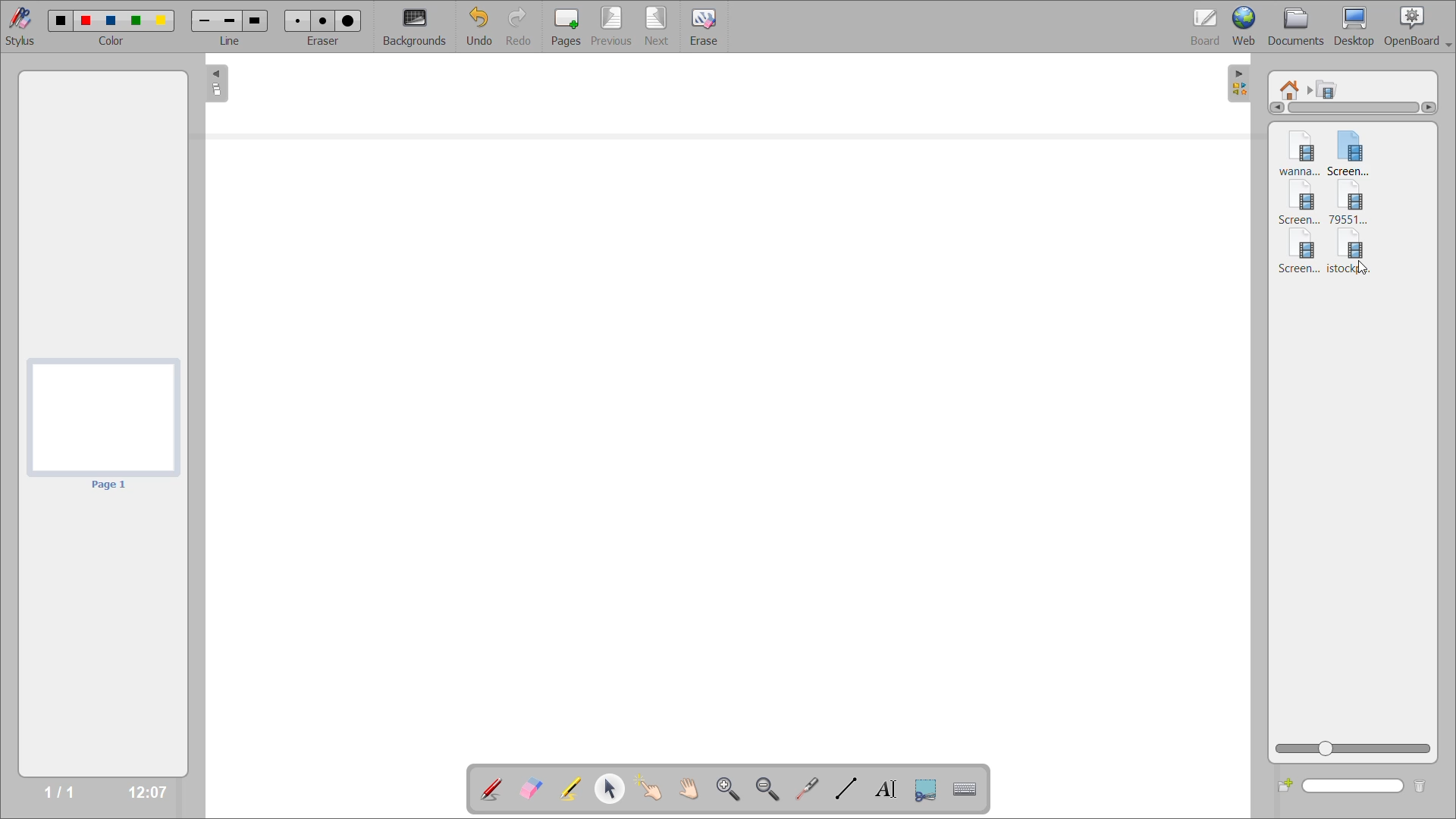 The height and width of the screenshot is (819, 1456). I want to click on zoom slider, so click(1352, 748).